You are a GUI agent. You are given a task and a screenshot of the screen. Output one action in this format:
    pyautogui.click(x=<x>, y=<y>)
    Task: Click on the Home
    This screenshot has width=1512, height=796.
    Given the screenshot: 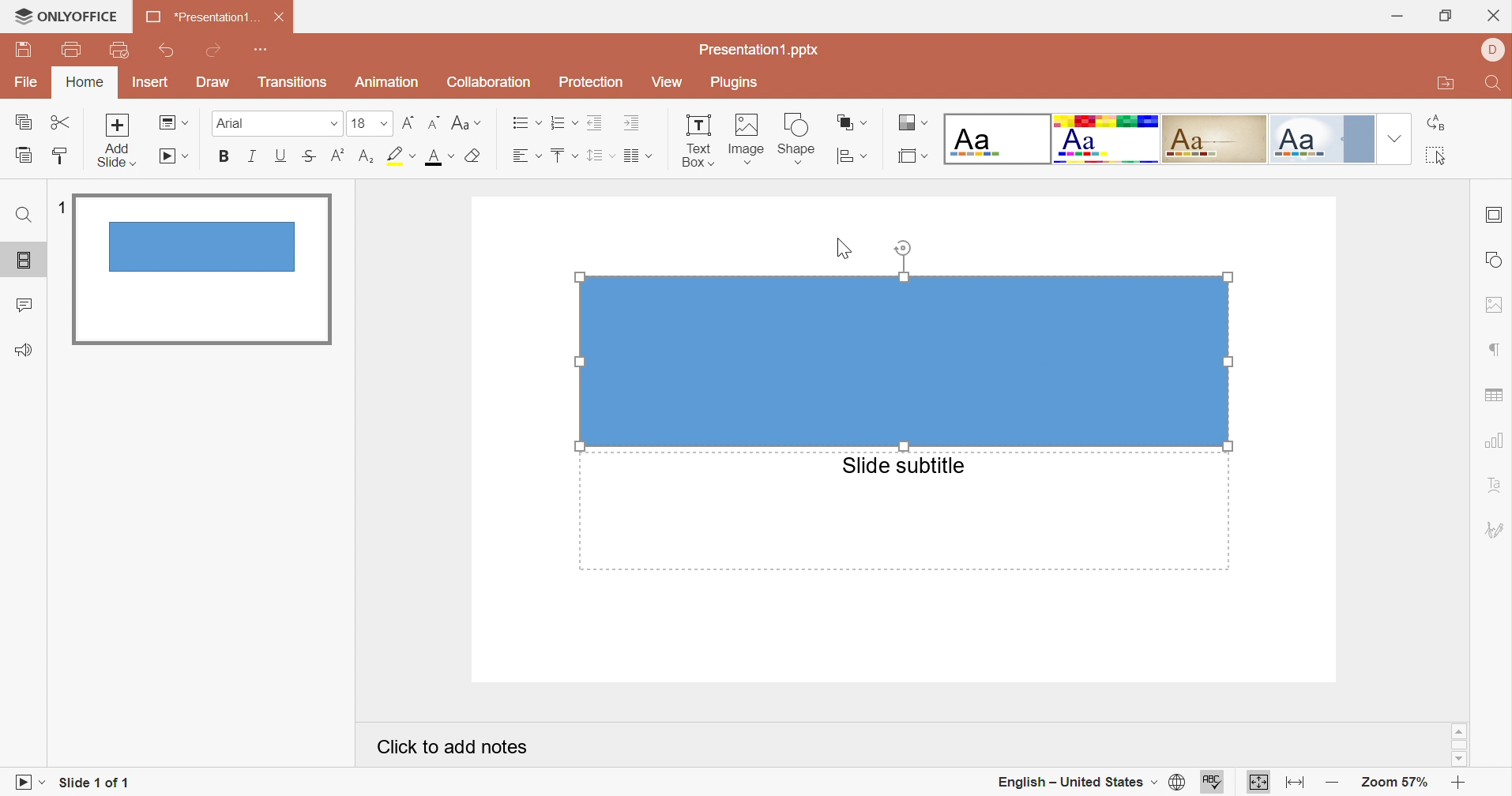 What is the action you would take?
    pyautogui.click(x=82, y=82)
    